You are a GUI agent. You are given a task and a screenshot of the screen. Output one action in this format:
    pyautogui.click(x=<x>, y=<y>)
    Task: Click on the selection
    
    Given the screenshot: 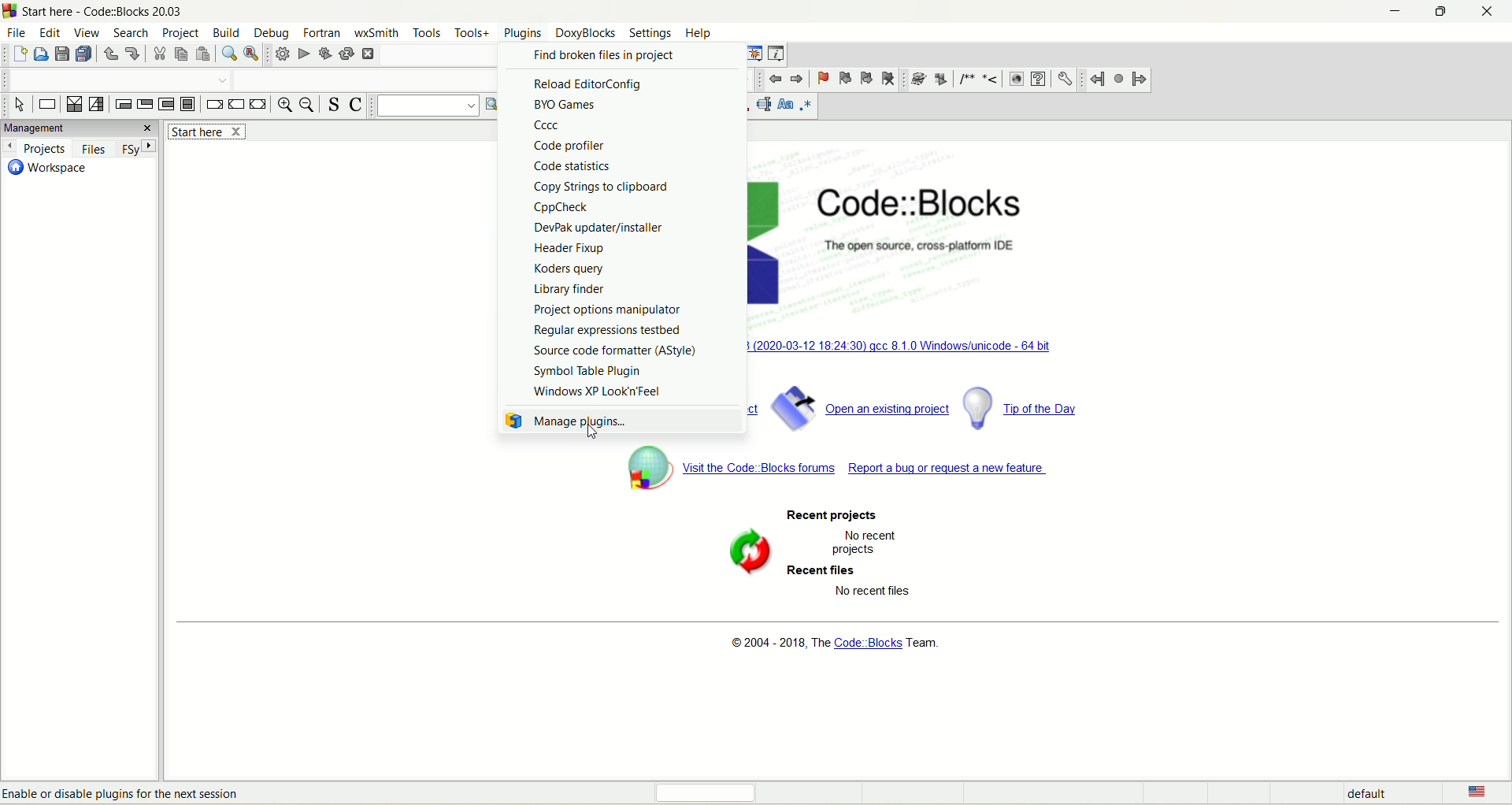 What is the action you would take?
    pyautogui.click(x=96, y=103)
    